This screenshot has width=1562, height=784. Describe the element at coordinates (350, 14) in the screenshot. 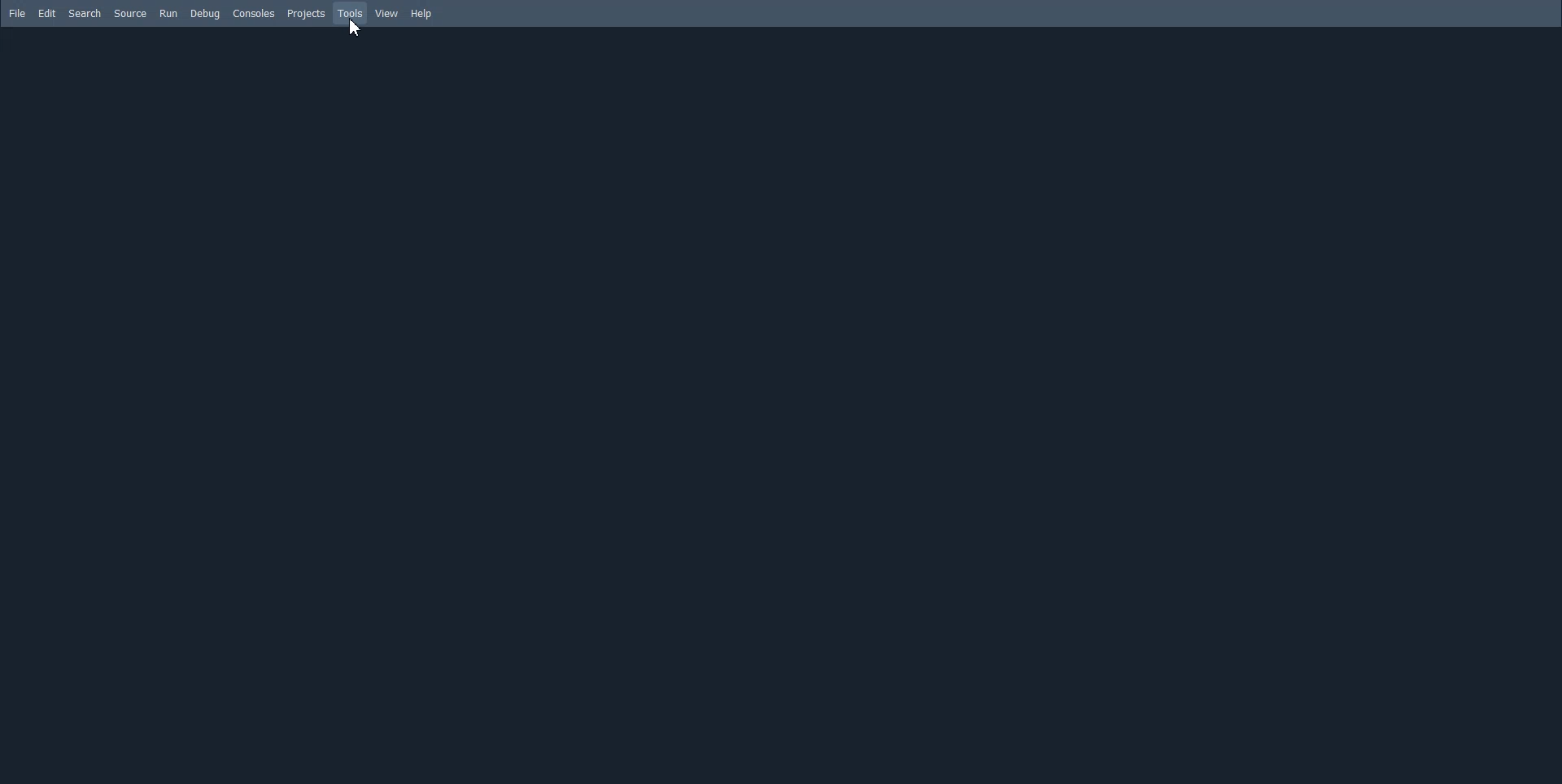

I see `Tools` at that location.